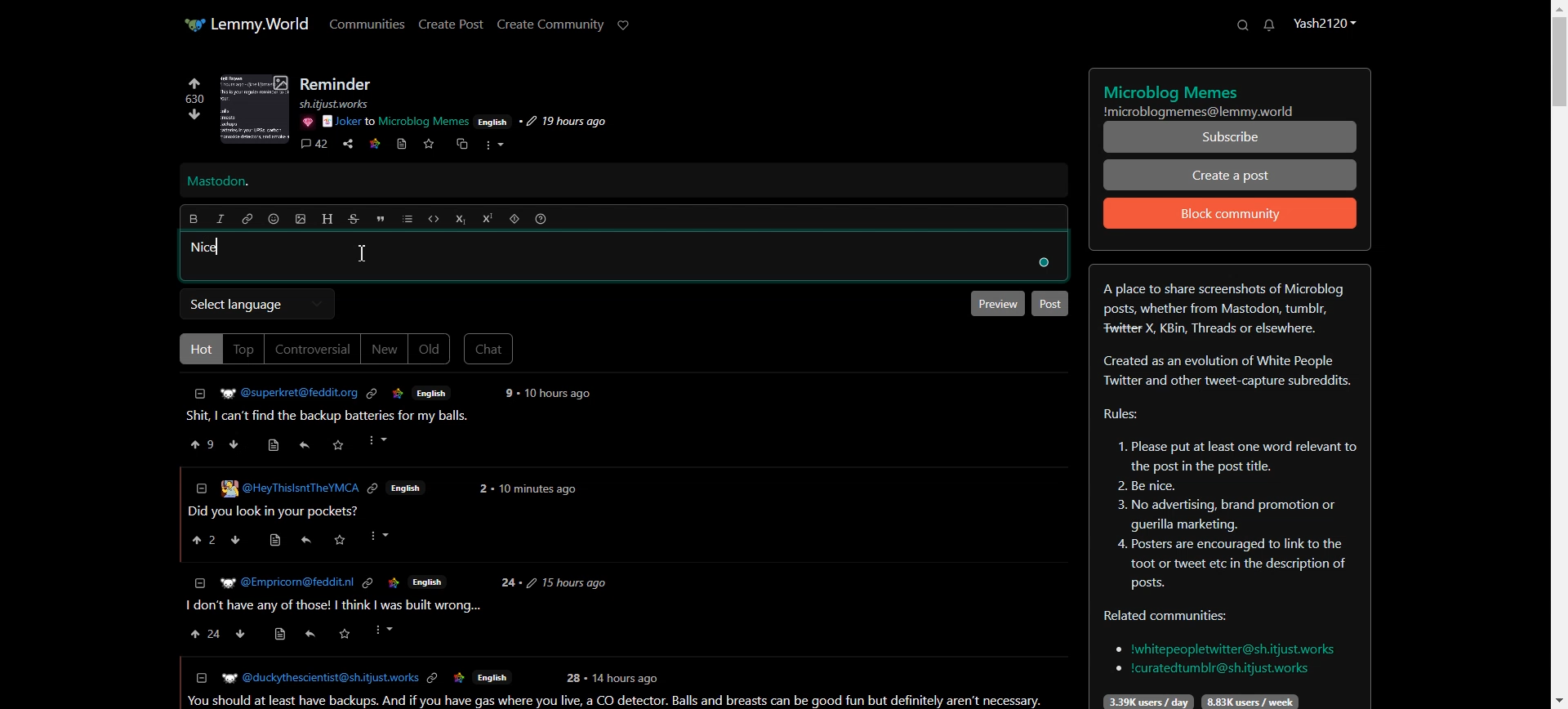  Describe the element at coordinates (367, 23) in the screenshot. I see `Communities` at that location.